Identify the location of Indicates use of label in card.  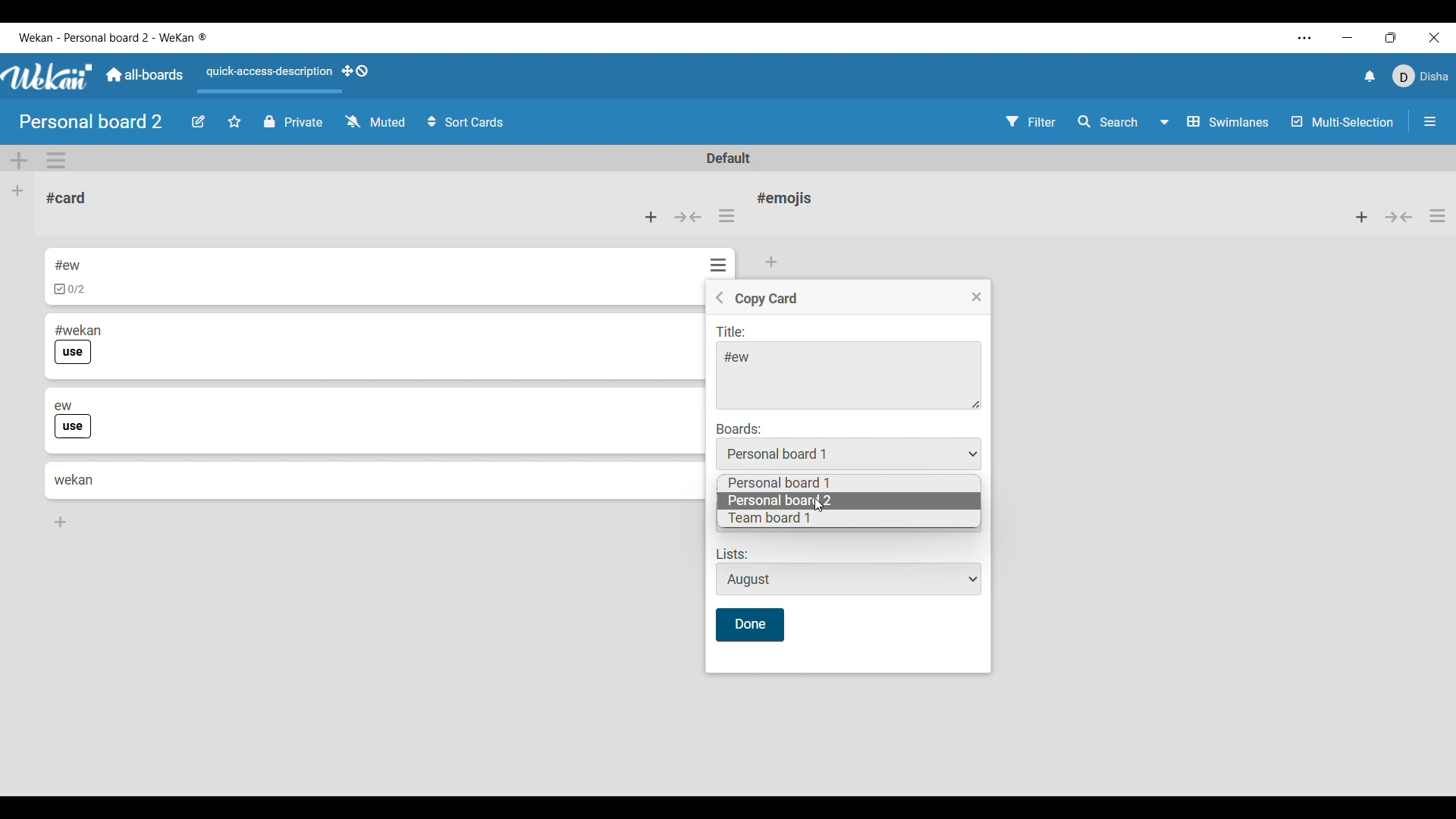
(74, 353).